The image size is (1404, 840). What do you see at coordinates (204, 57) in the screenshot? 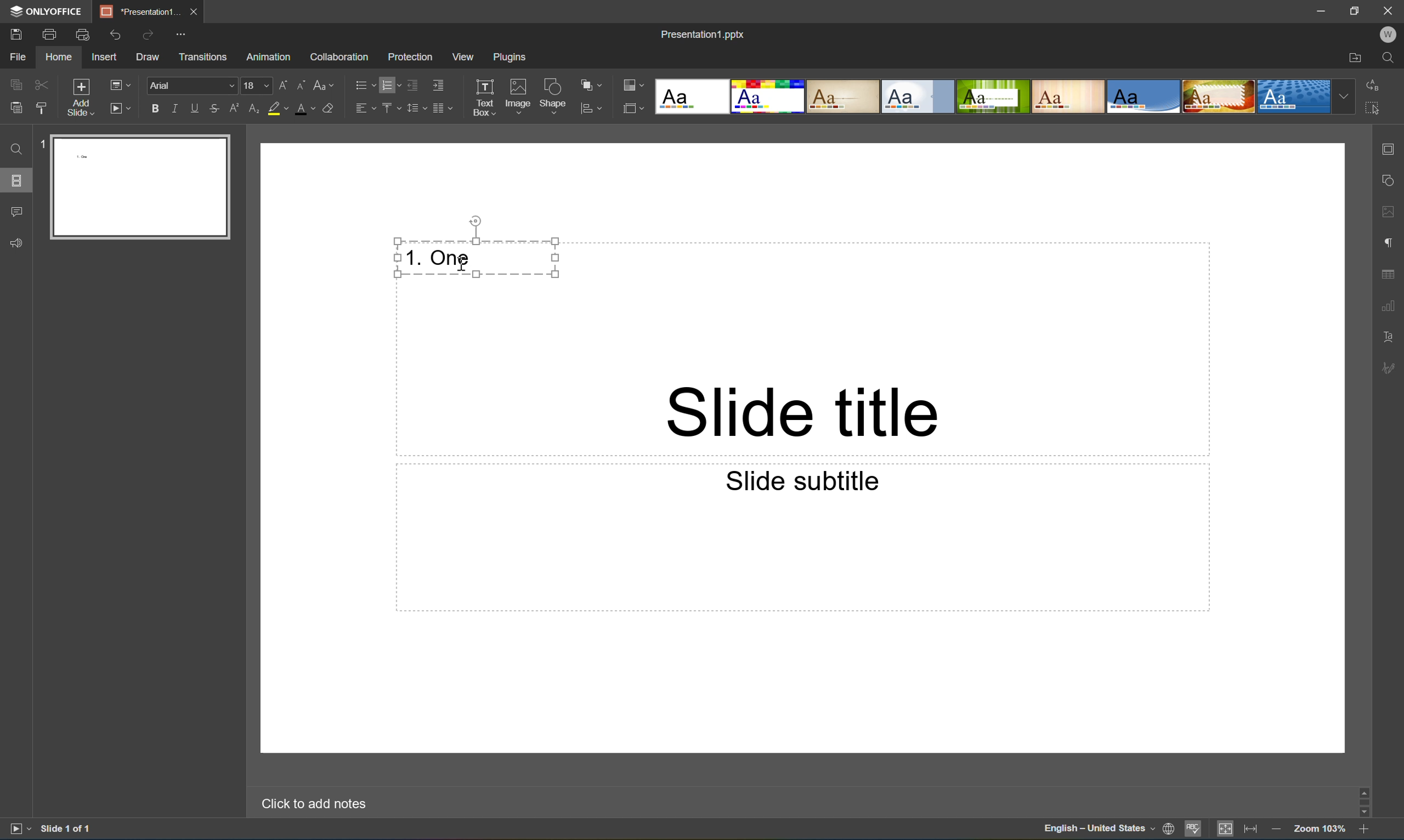
I see `Transitions` at bounding box center [204, 57].